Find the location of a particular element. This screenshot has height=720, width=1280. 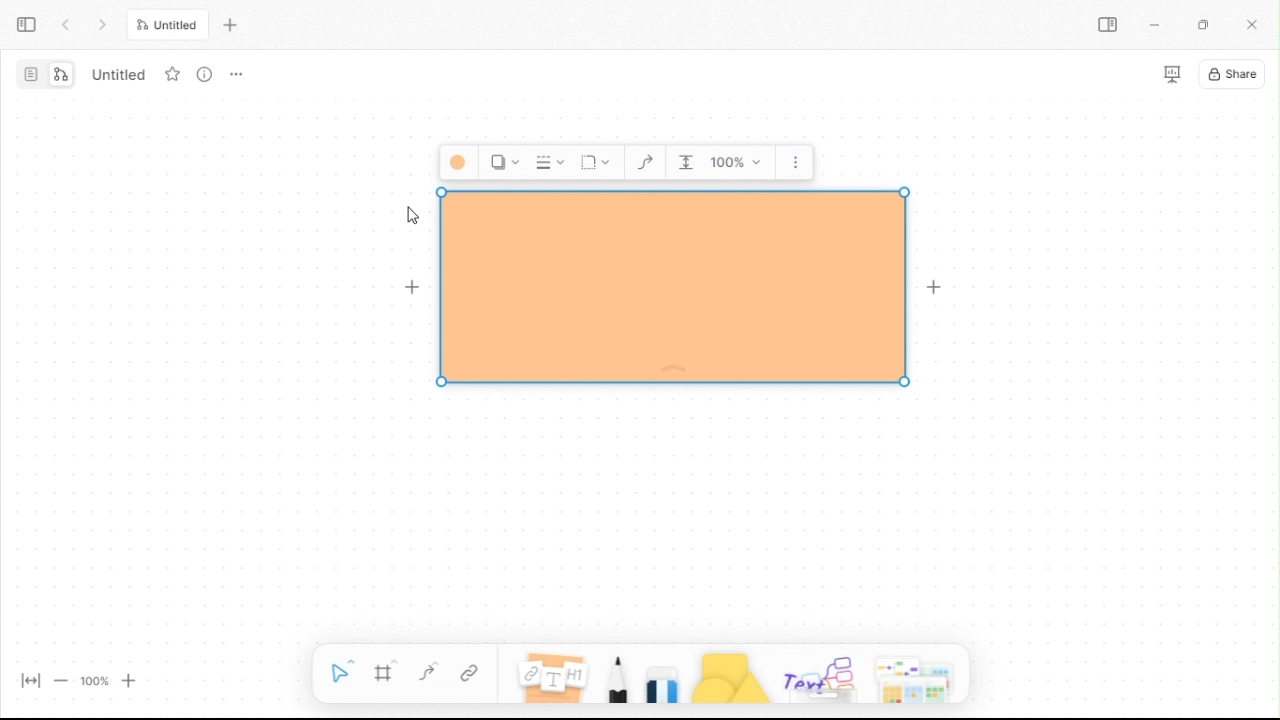

prev tab is located at coordinates (66, 26).